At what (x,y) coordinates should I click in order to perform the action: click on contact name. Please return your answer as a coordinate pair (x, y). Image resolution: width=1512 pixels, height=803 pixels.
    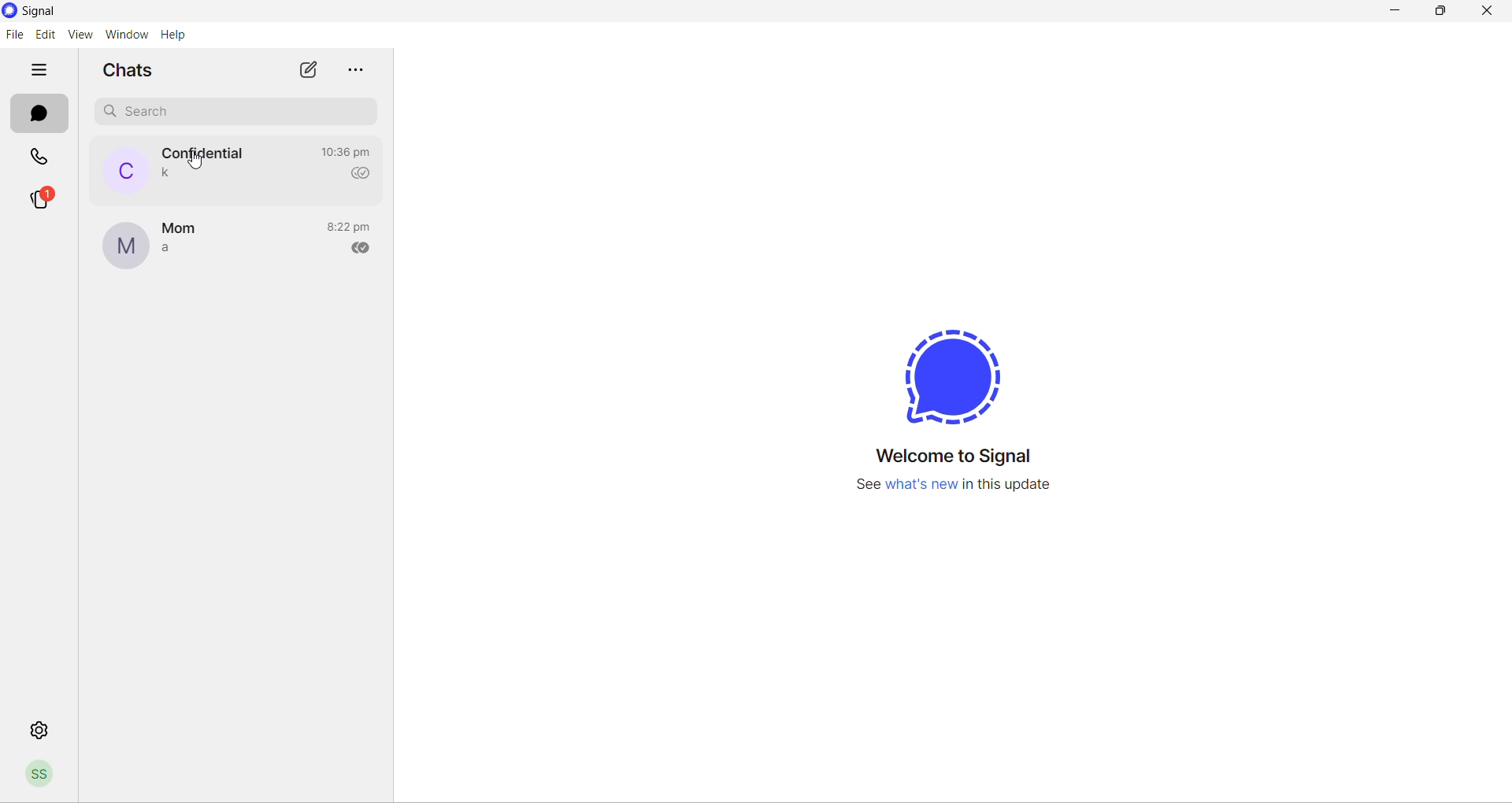
    Looking at the image, I should click on (206, 154).